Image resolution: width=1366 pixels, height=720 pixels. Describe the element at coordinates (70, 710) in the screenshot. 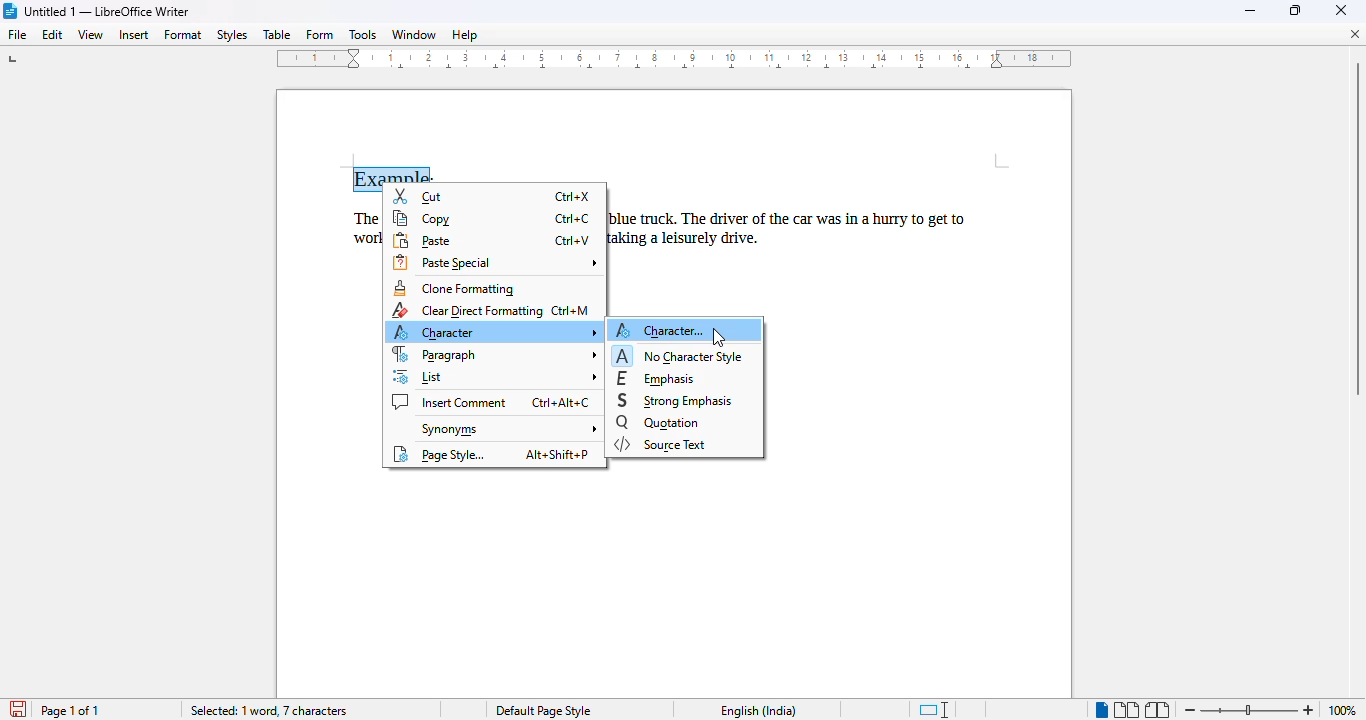

I see `page 1 of 1` at that location.